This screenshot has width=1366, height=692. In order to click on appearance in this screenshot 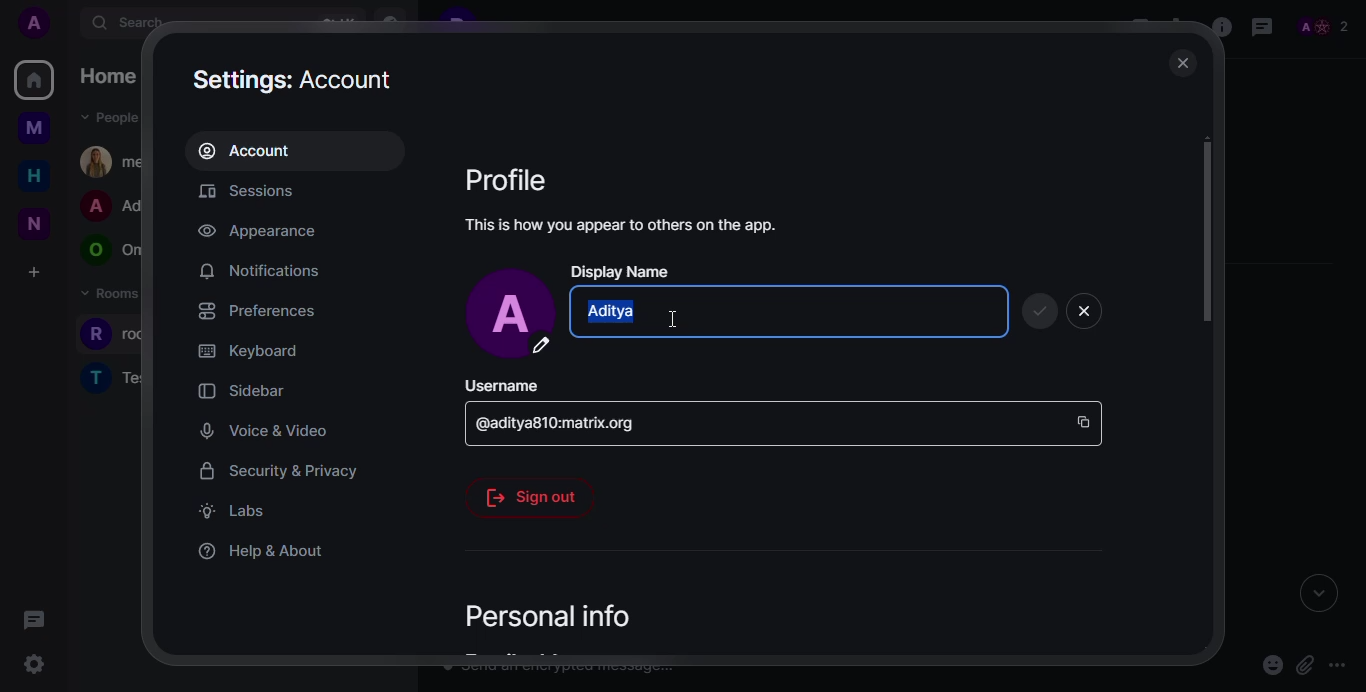, I will do `click(258, 231)`.